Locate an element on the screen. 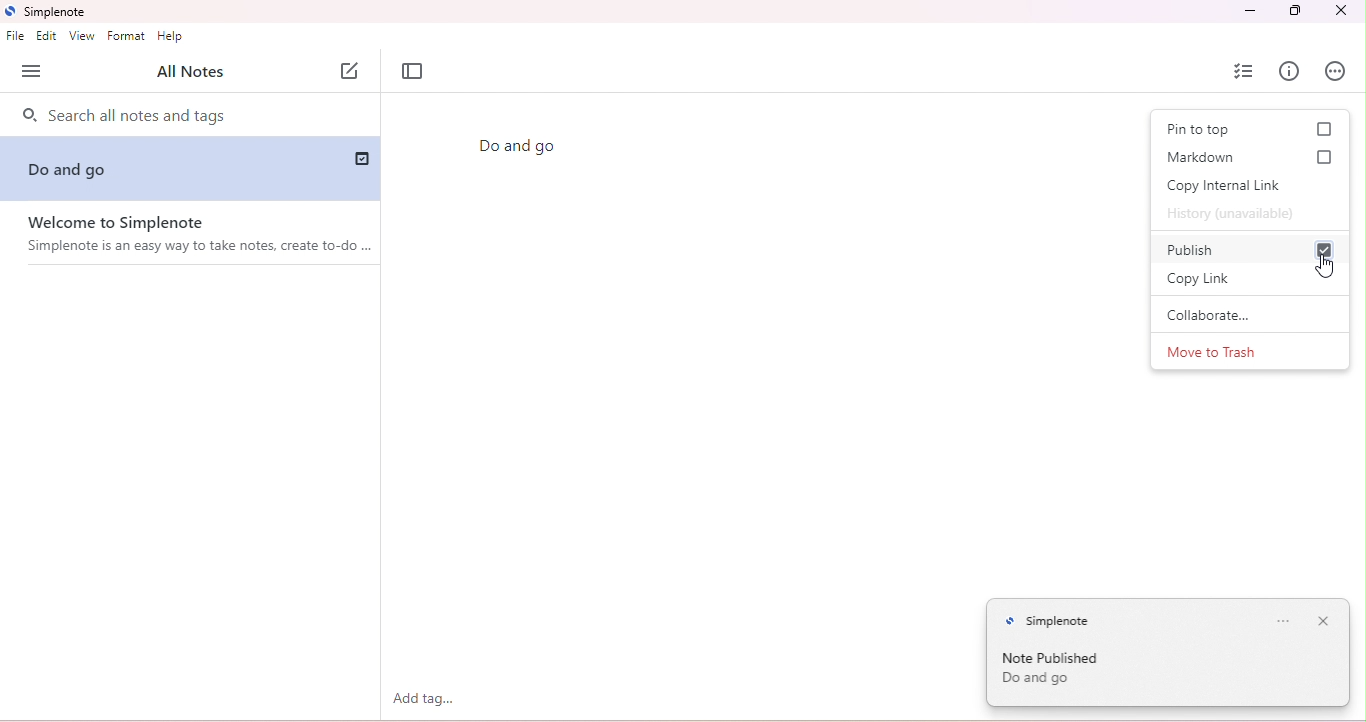  checkbox is located at coordinates (1326, 158).